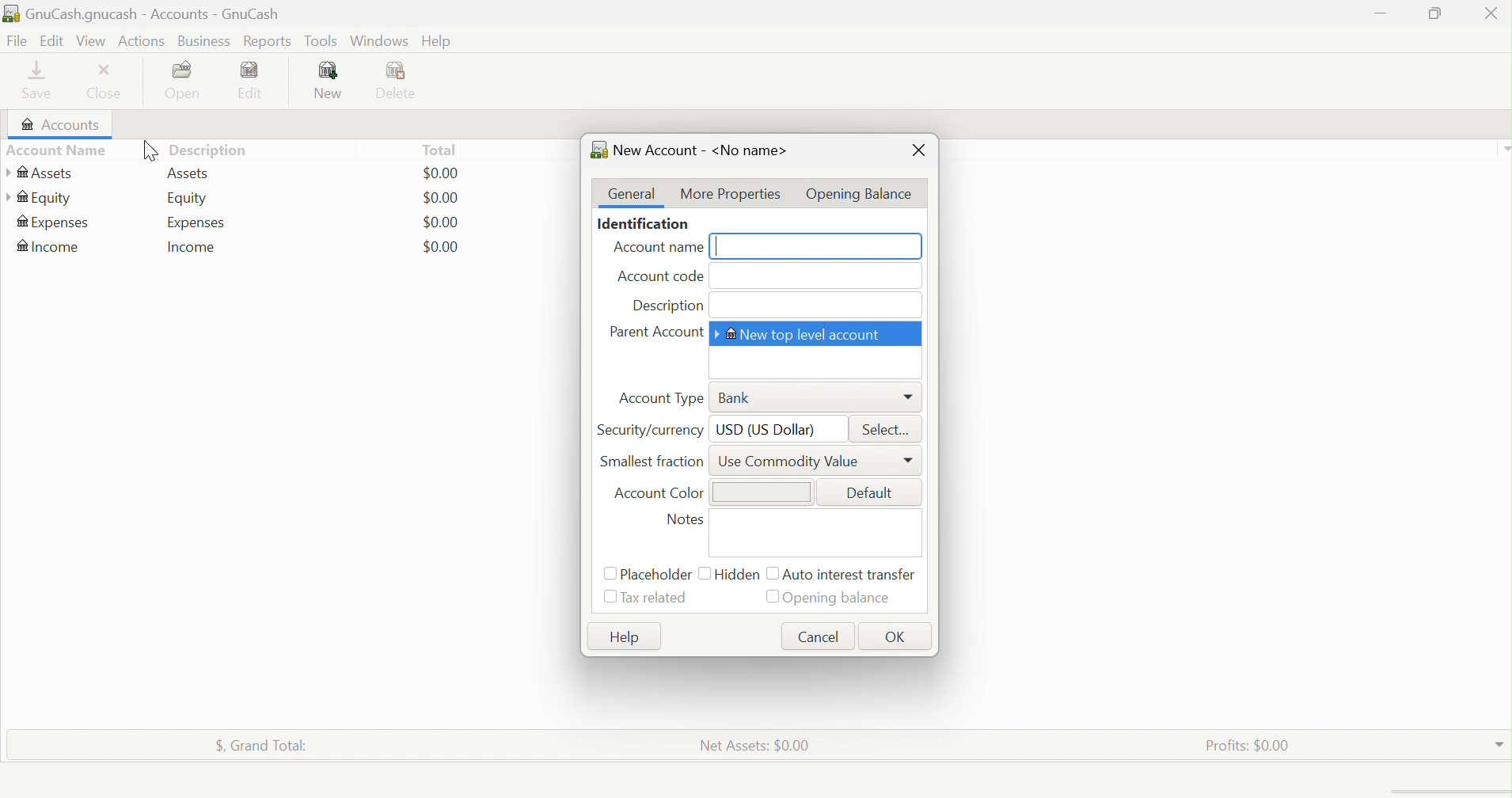  I want to click on Account Color, so click(659, 494).